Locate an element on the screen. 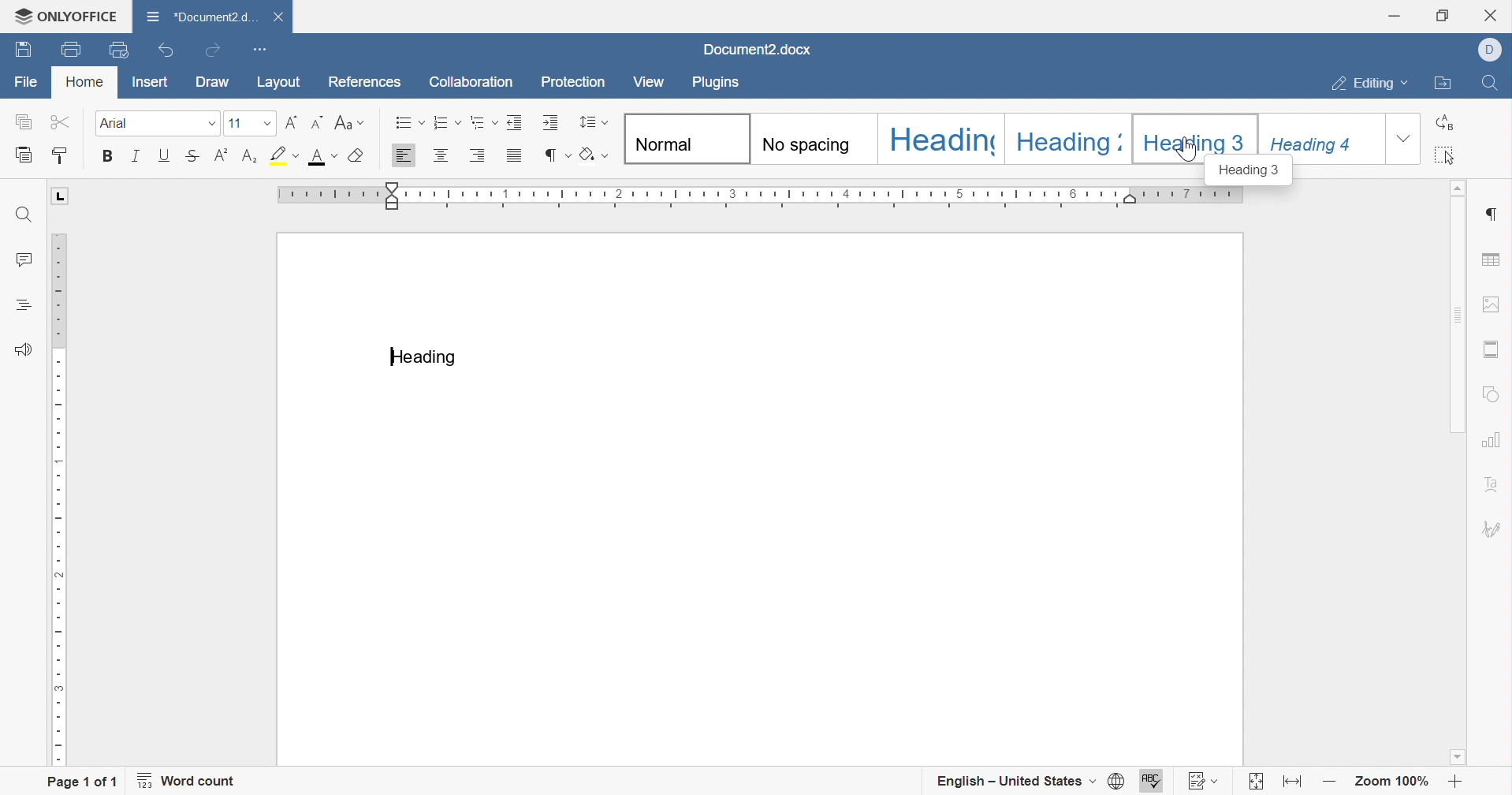  Document2.docx is located at coordinates (754, 50).